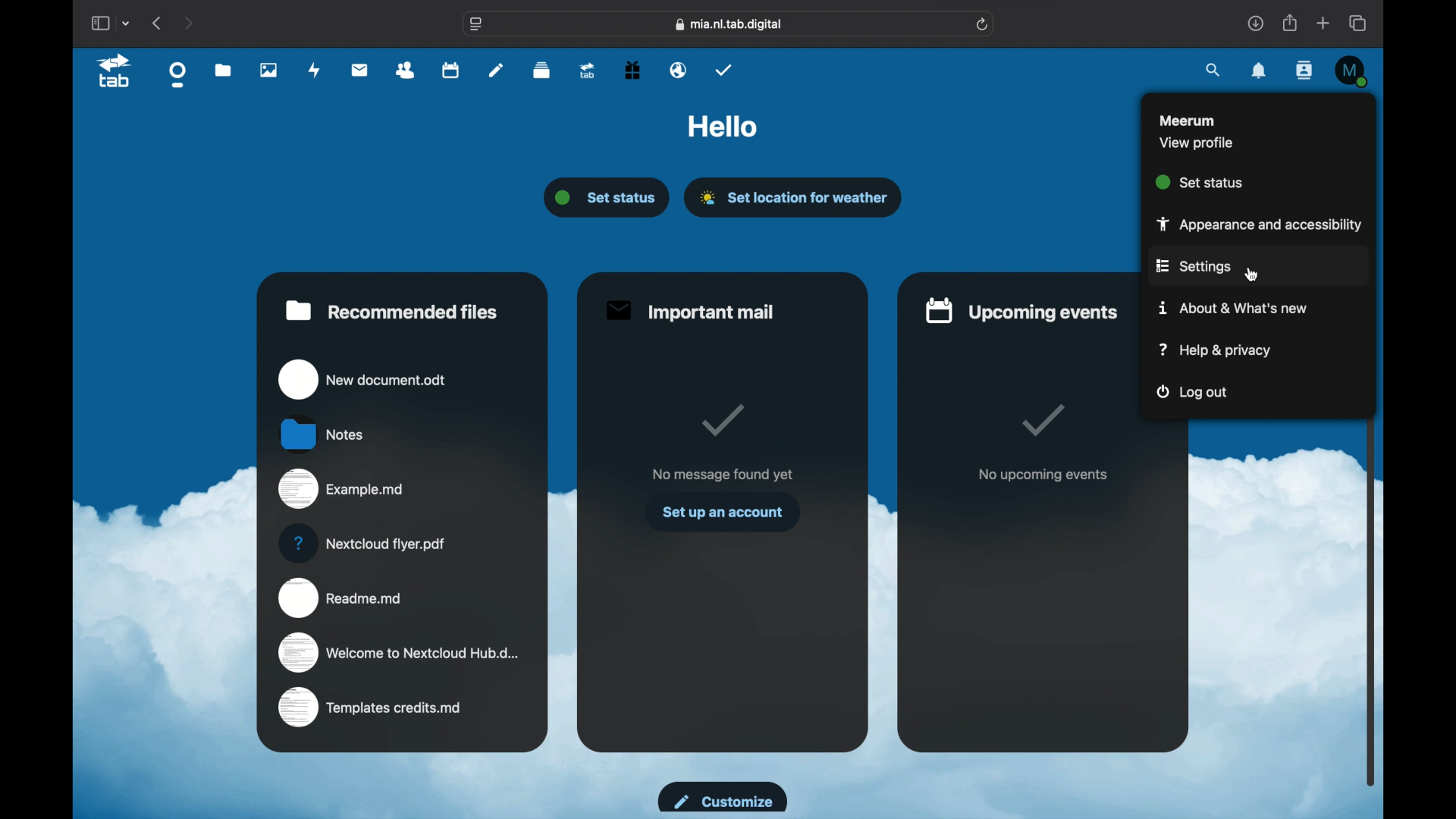 The image size is (1456, 819). Describe the element at coordinates (1200, 184) in the screenshot. I see `set status` at that location.